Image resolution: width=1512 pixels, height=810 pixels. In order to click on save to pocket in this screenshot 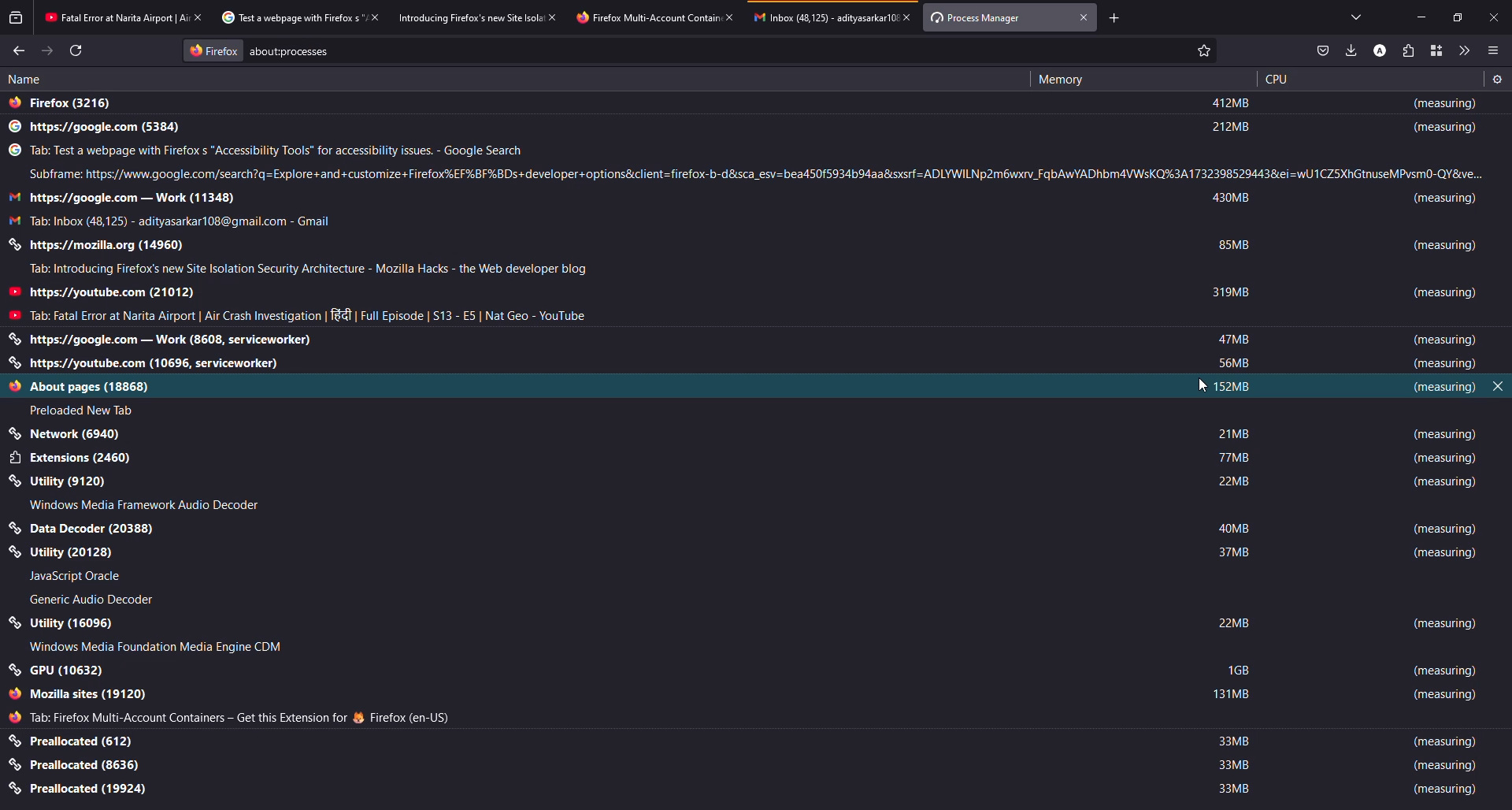, I will do `click(1323, 51)`.